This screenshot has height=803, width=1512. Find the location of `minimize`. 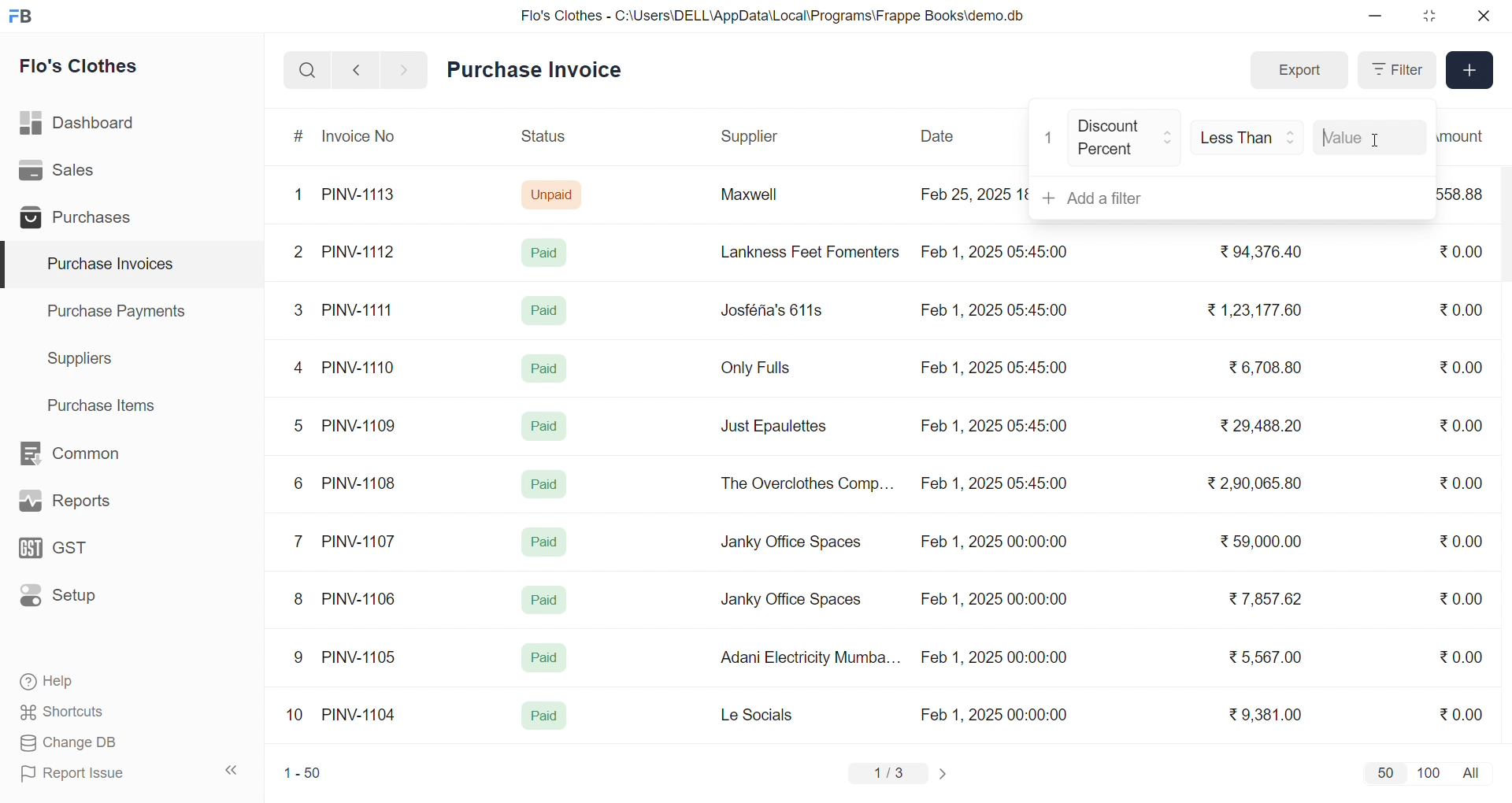

minimize is located at coordinates (1377, 17).